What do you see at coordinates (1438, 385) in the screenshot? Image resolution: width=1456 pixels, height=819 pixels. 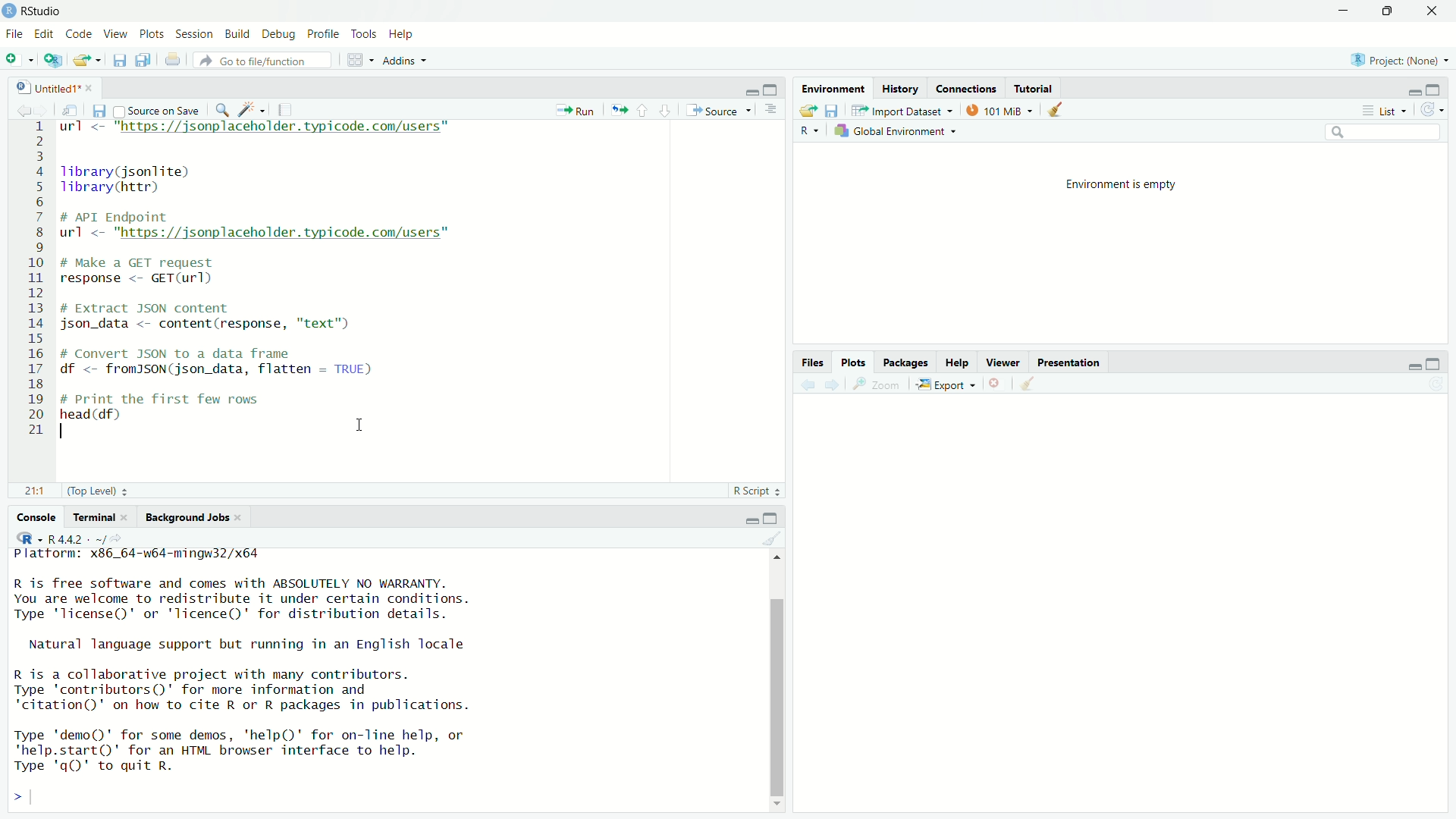 I see `Refresh` at bounding box center [1438, 385].